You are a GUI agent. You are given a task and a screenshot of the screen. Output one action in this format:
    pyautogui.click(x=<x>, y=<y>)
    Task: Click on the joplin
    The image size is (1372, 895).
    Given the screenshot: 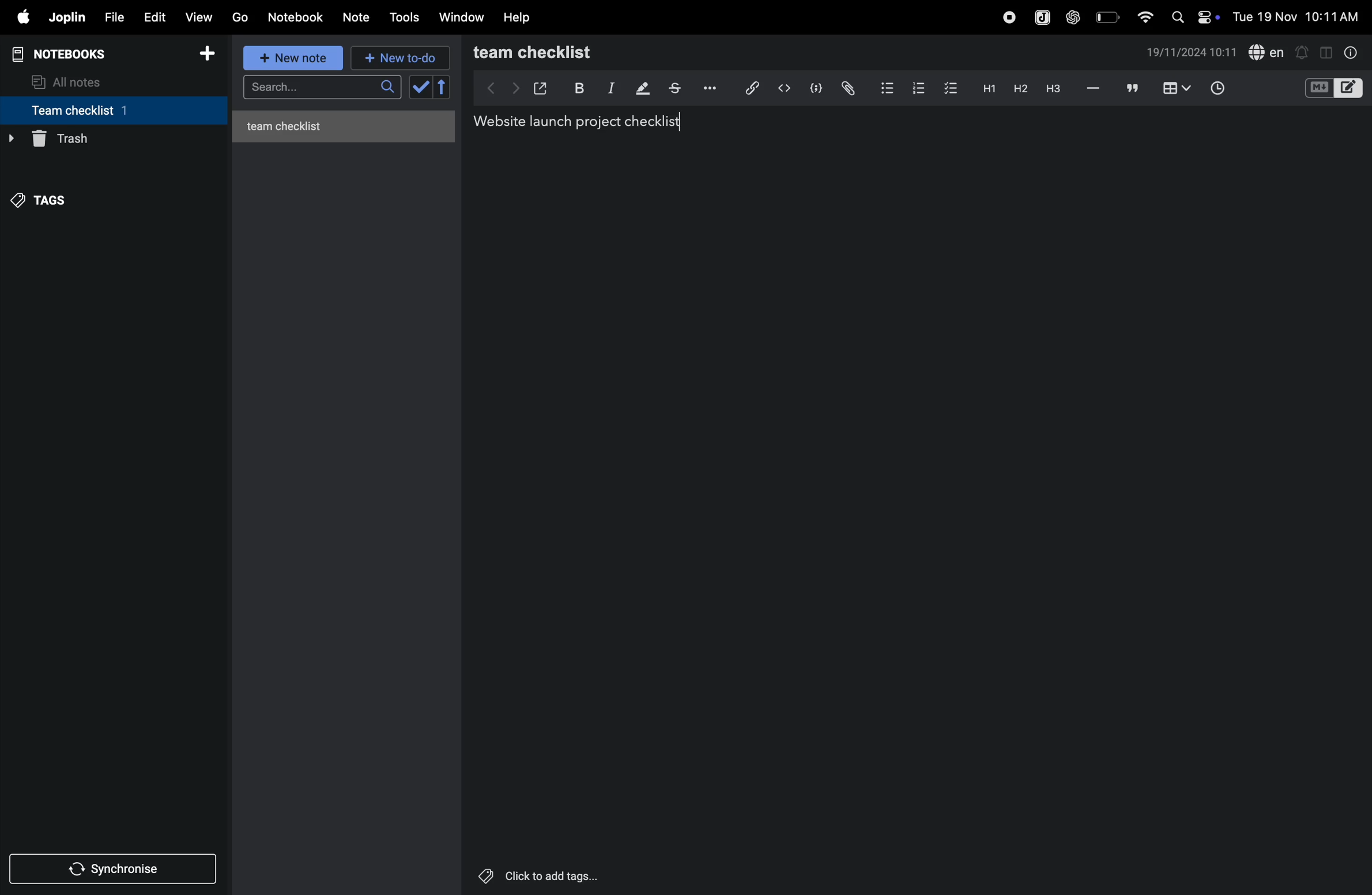 What is the action you would take?
    pyautogui.click(x=1039, y=16)
    